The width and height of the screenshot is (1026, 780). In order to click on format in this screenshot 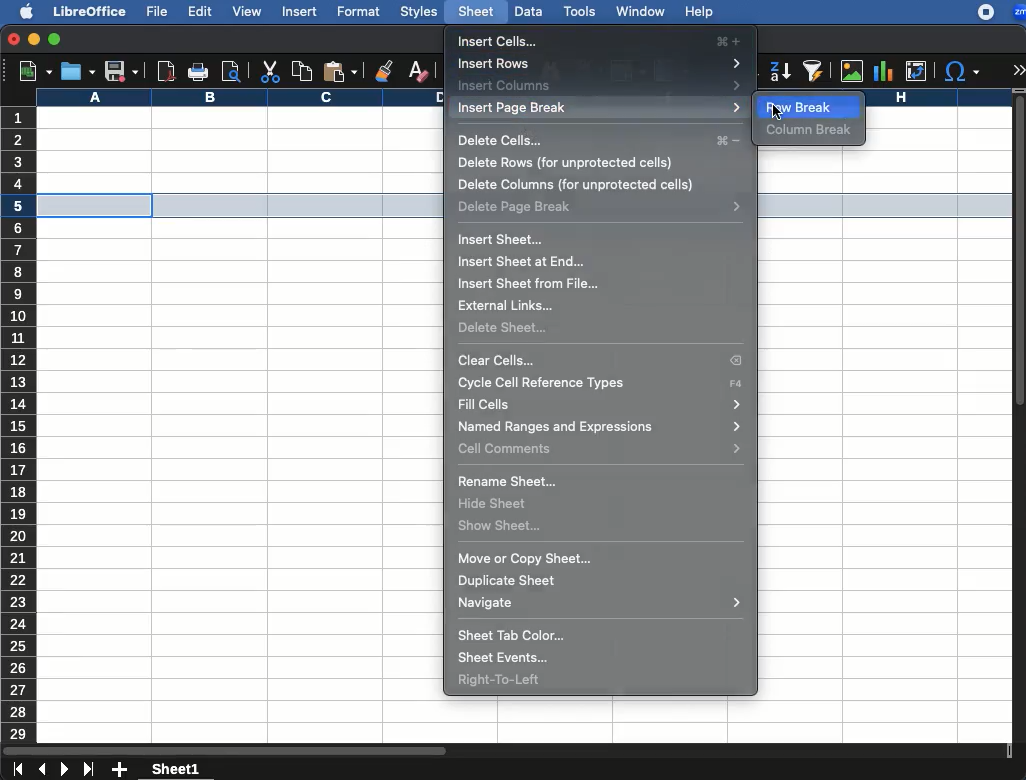, I will do `click(359, 12)`.